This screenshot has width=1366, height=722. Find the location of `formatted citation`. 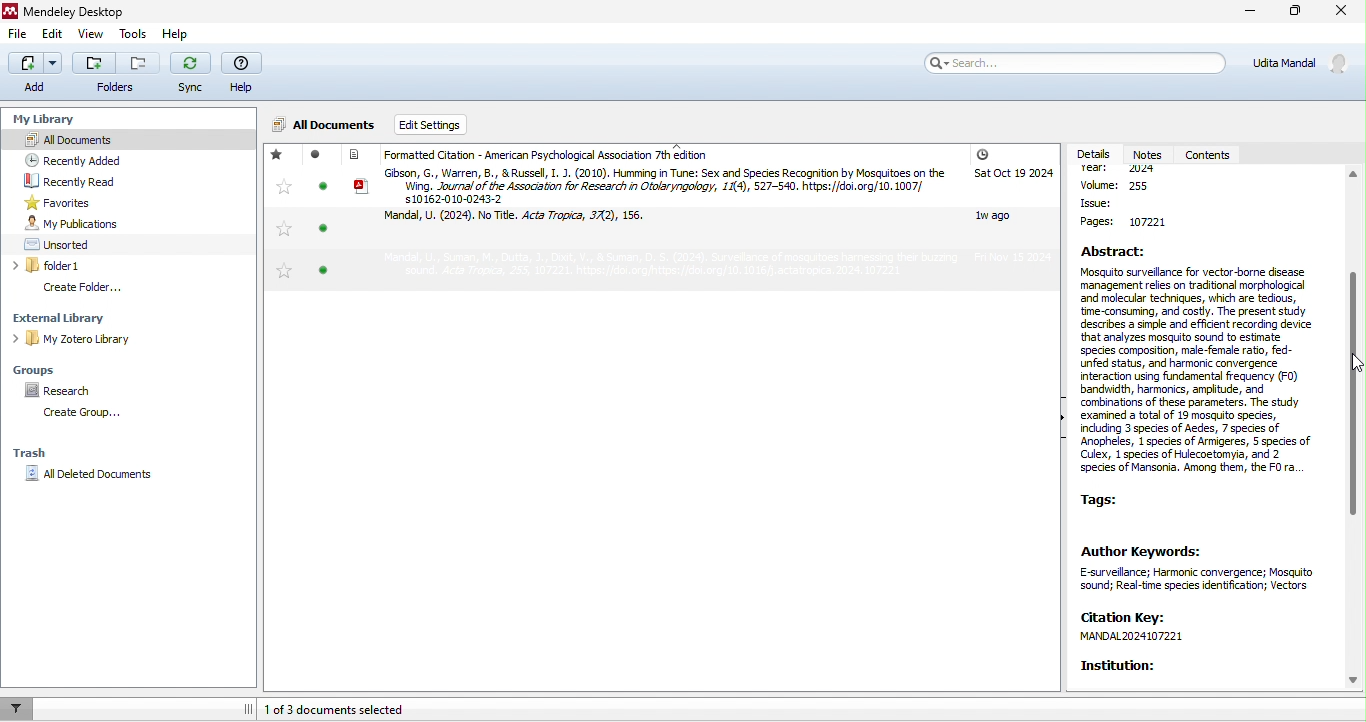

formatted citation is located at coordinates (538, 155).